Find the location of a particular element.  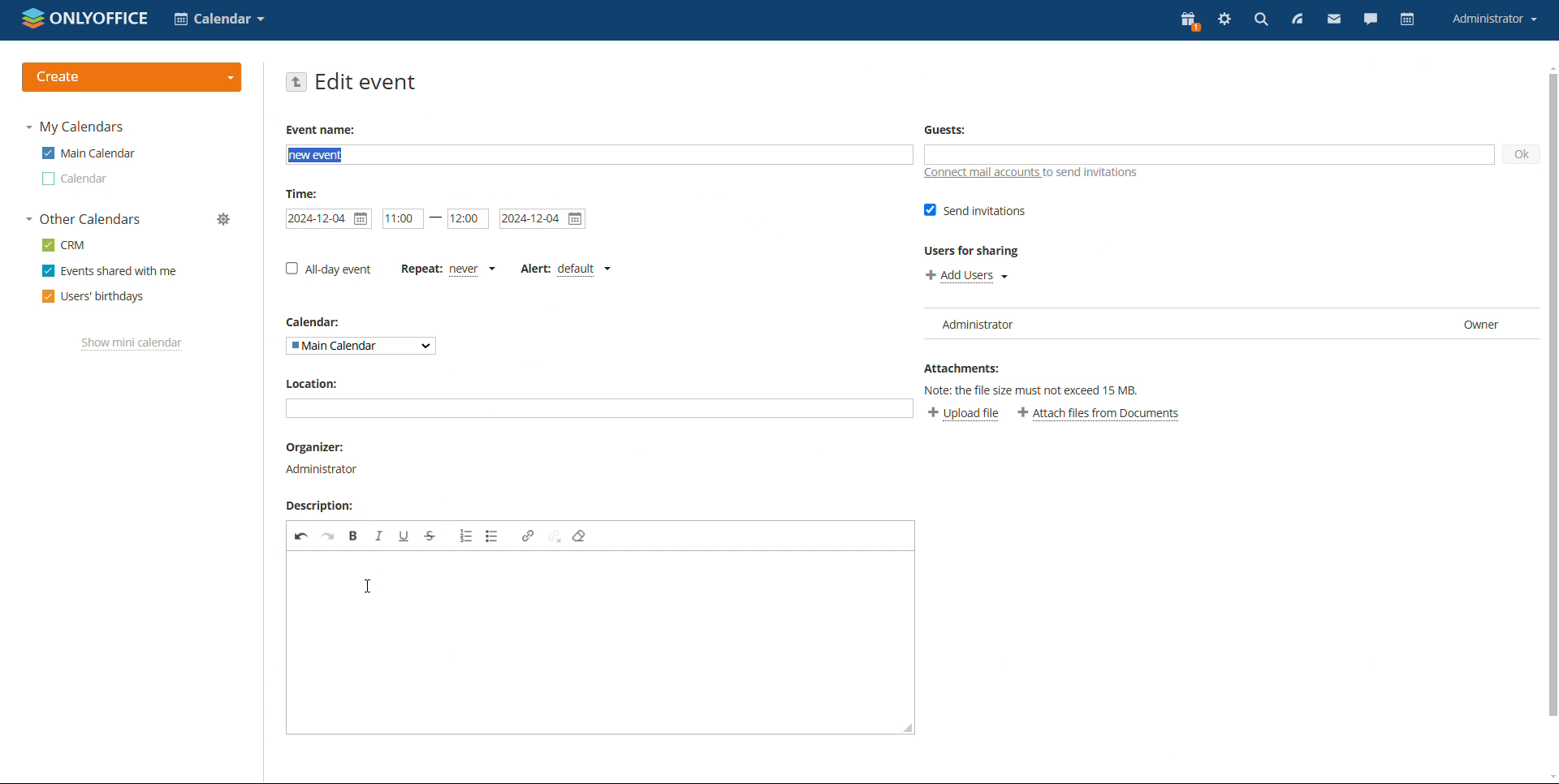

go back is located at coordinates (297, 82).